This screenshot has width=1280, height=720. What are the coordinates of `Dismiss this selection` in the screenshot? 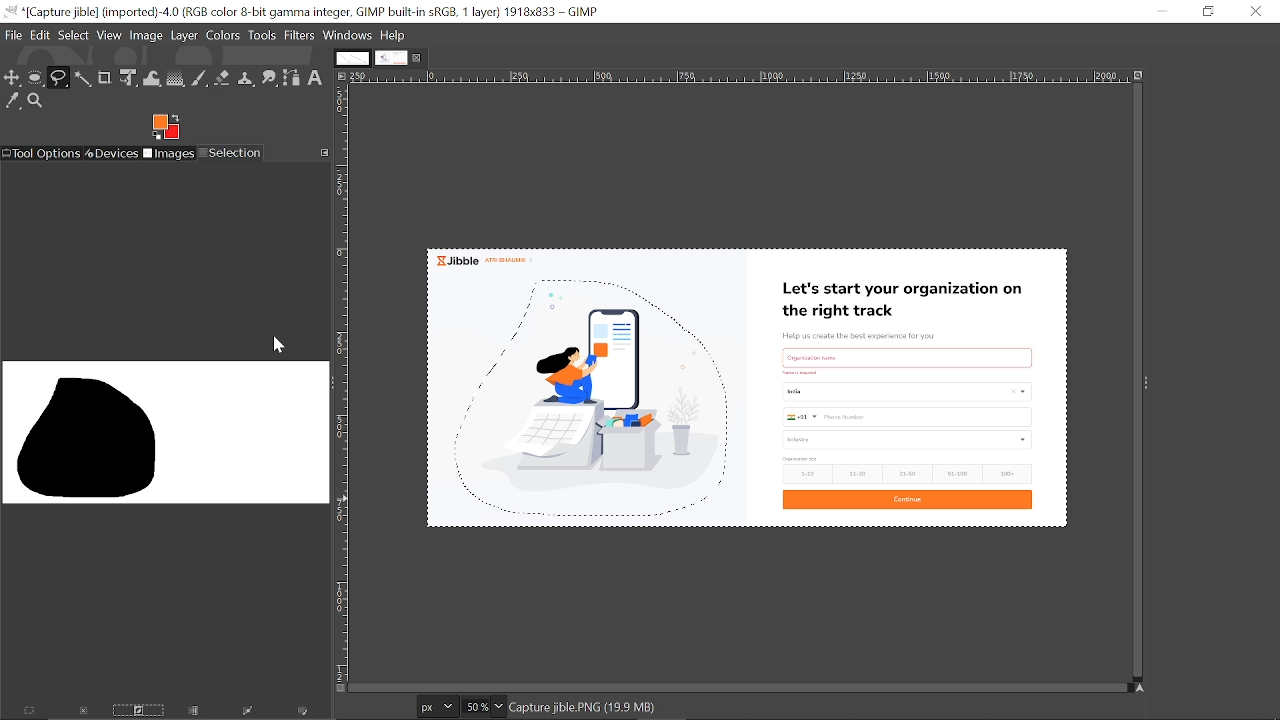 It's located at (82, 713).